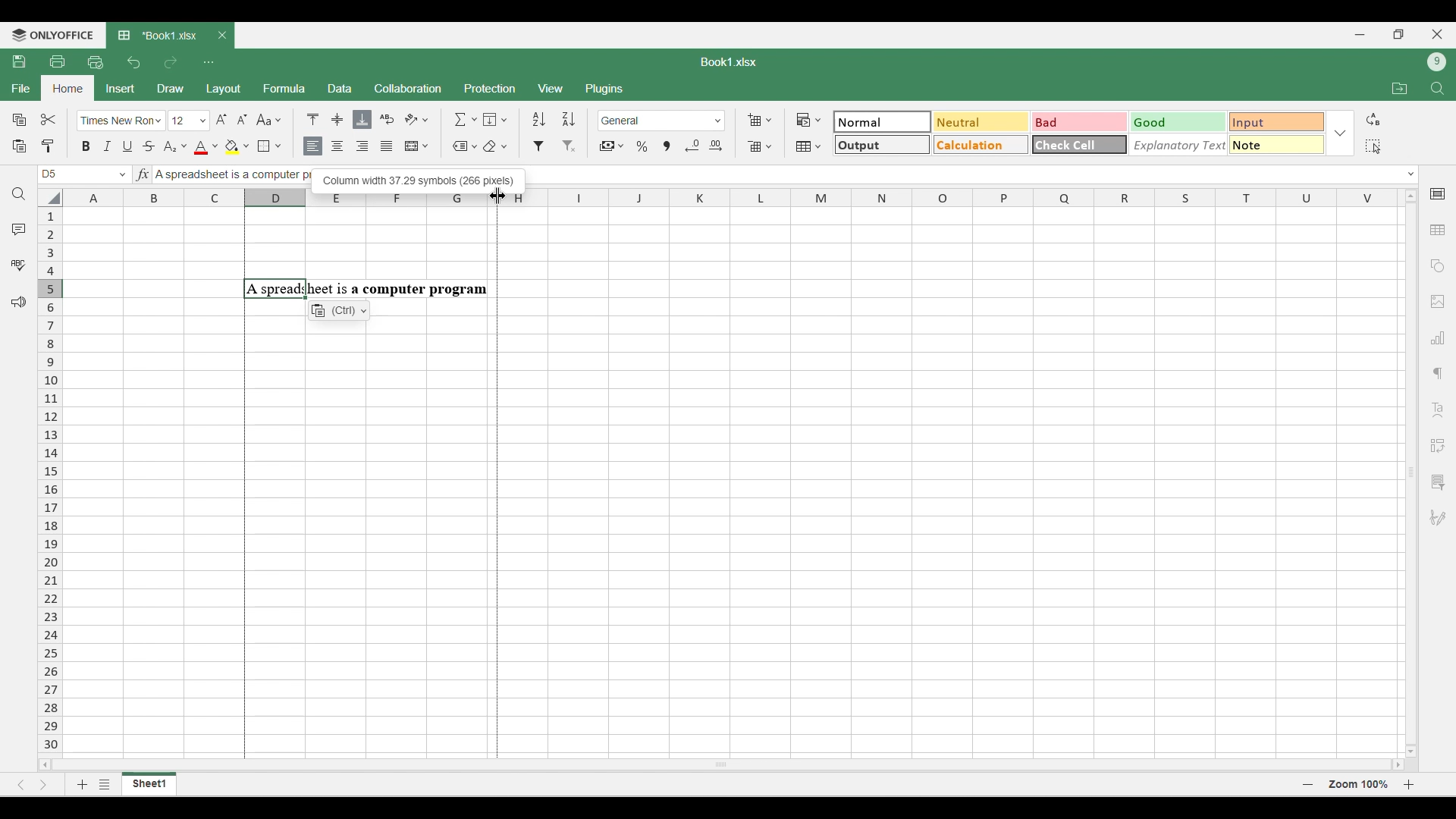 The height and width of the screenshot is (819, 1456). What do you see at coordinates (18, 61) in the screenshot?
I see `Save` at bounding box center [18, 61].